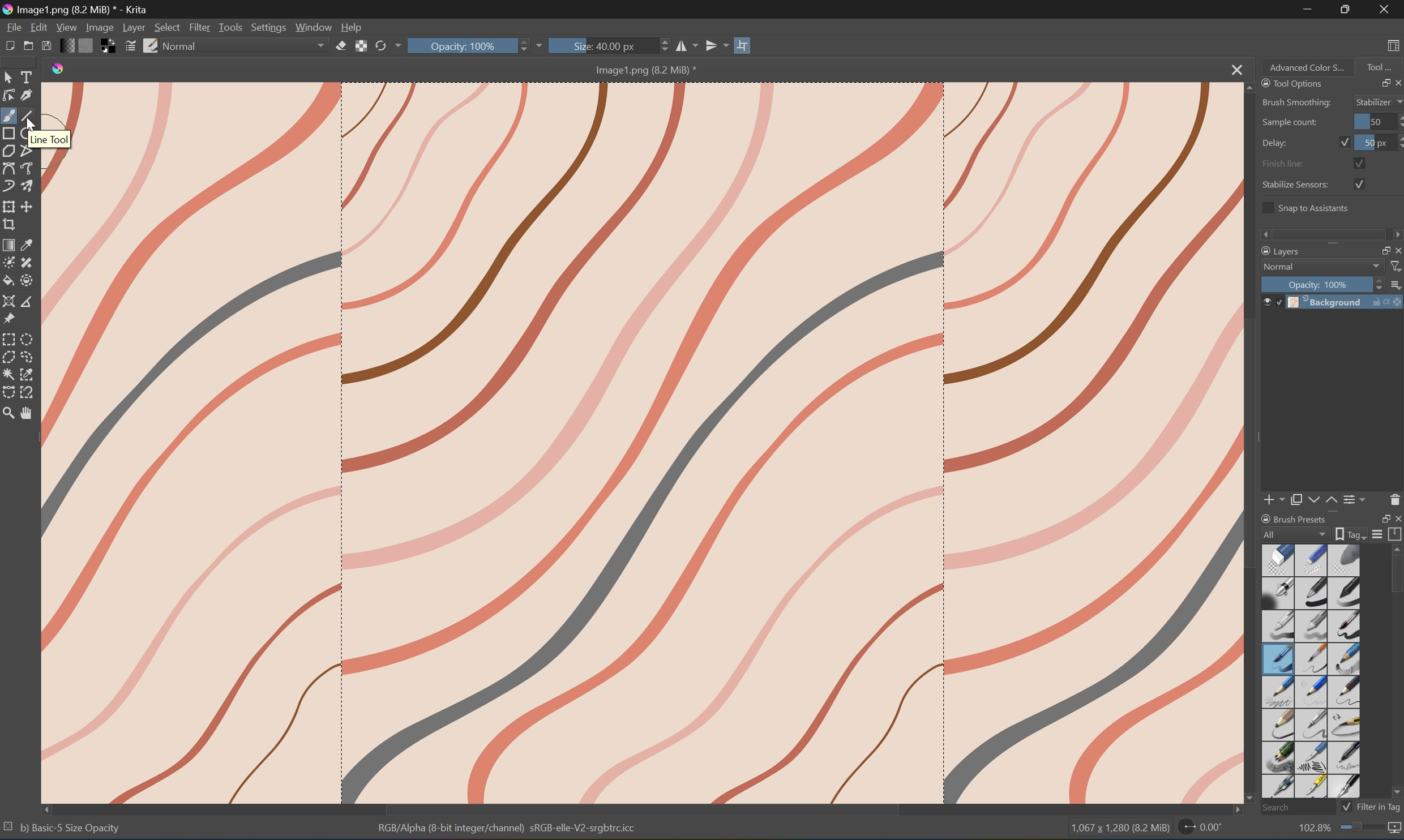  I want to click on Polyline tool, so click(27, 151).